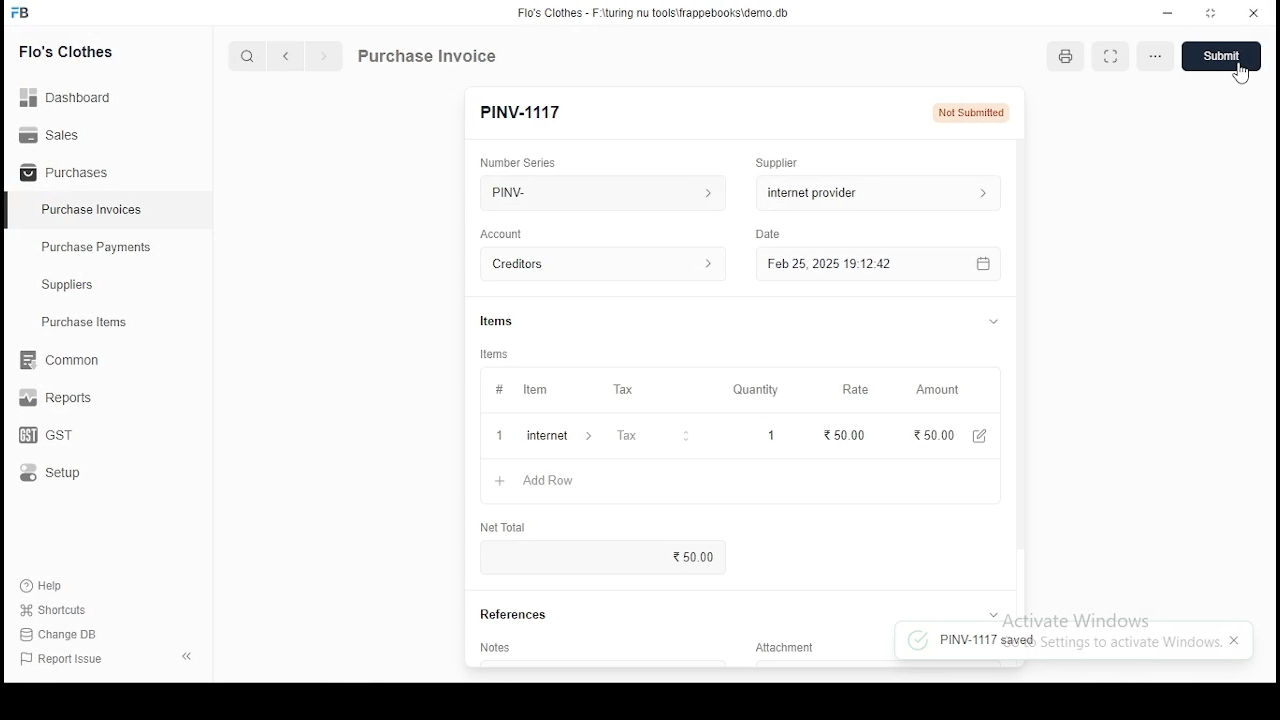 The image size is (1280, 720). What do you see at coordinates (428, 57) in the screenshot?
I see `purchase information` at bounding box center [428, 57].